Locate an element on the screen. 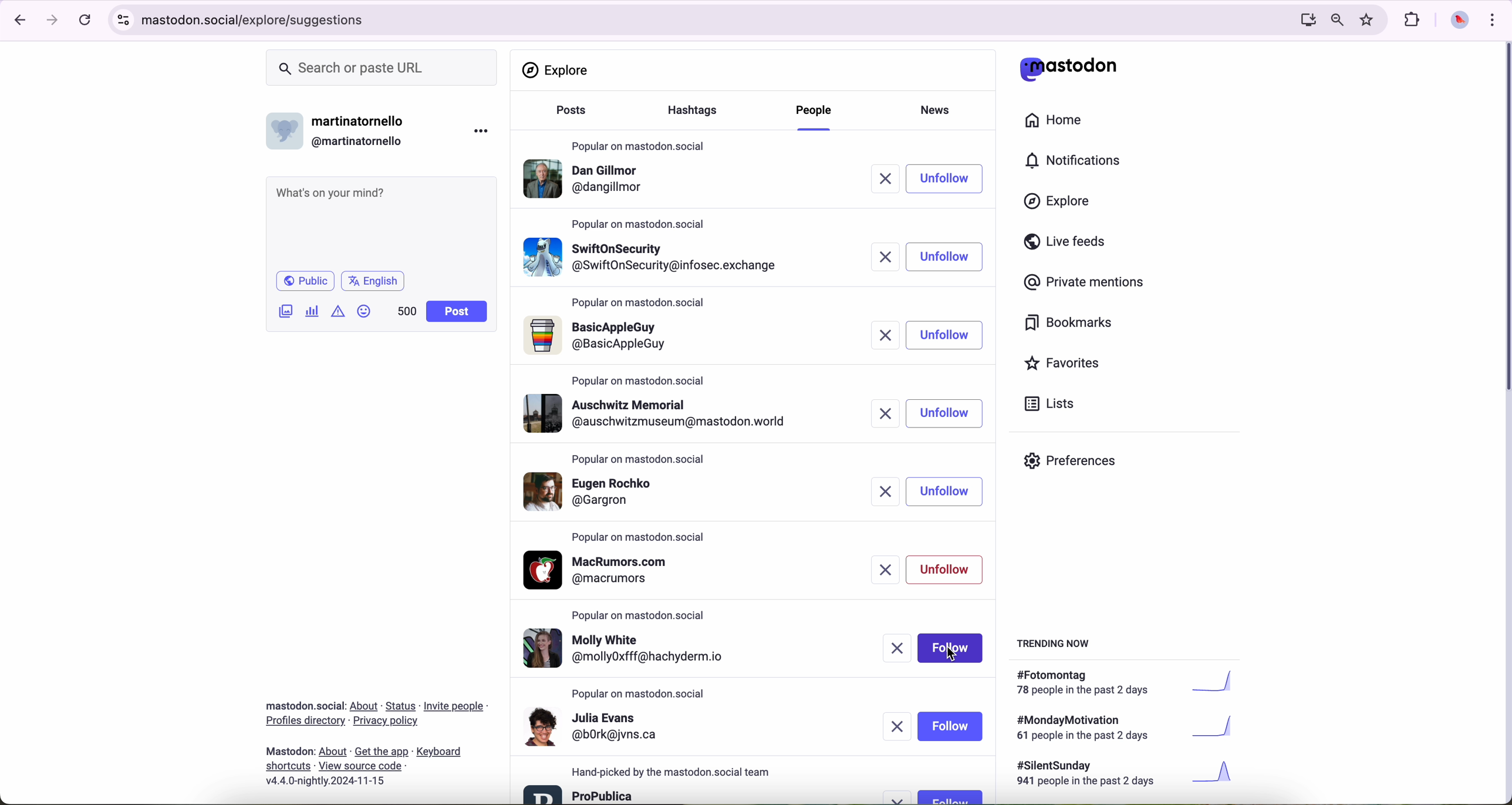 The image size is (1512, 805). more options is located at coordinates (484, 130).